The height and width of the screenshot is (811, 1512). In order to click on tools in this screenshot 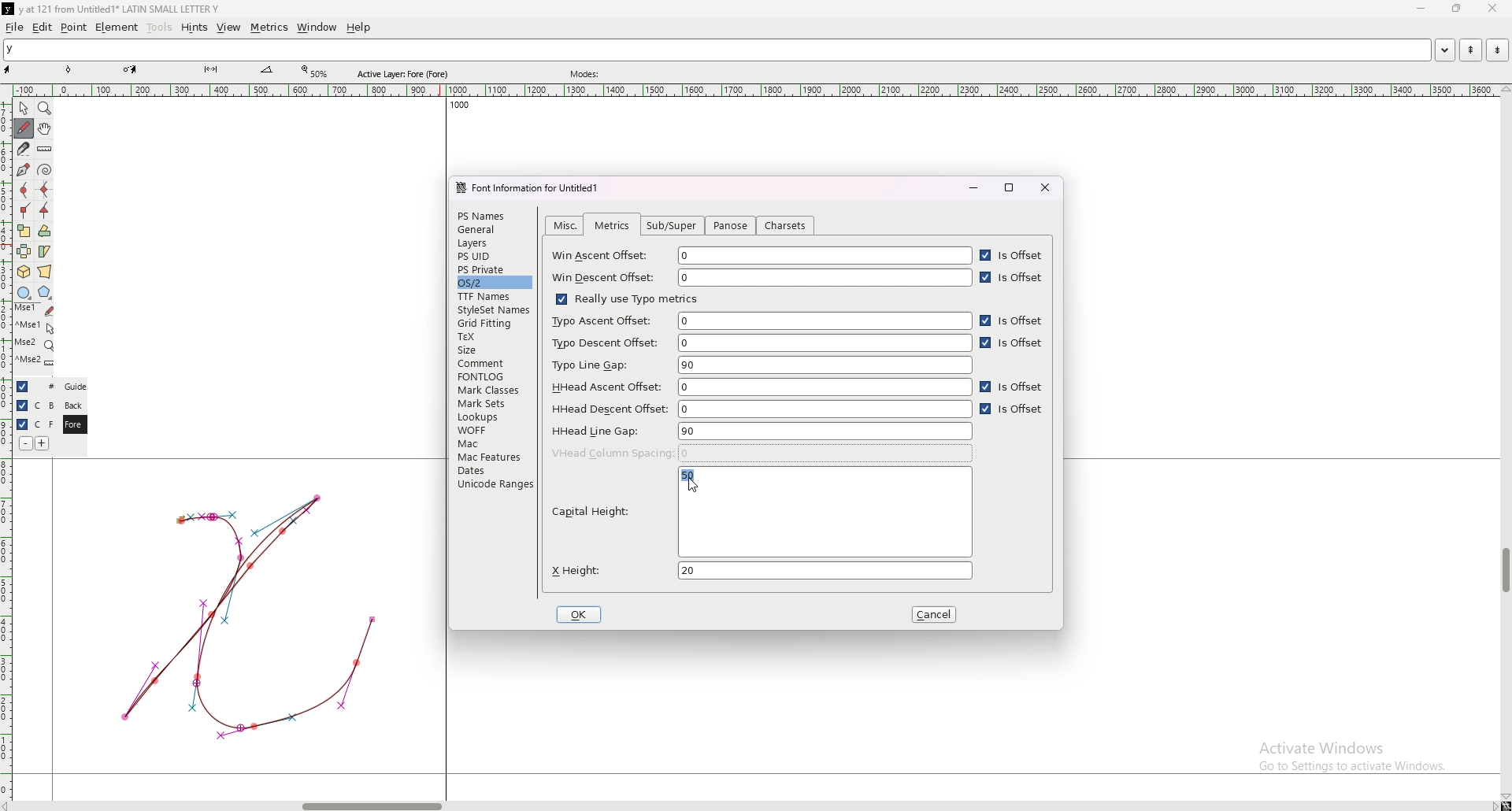, I will do `click(160, 28)`.